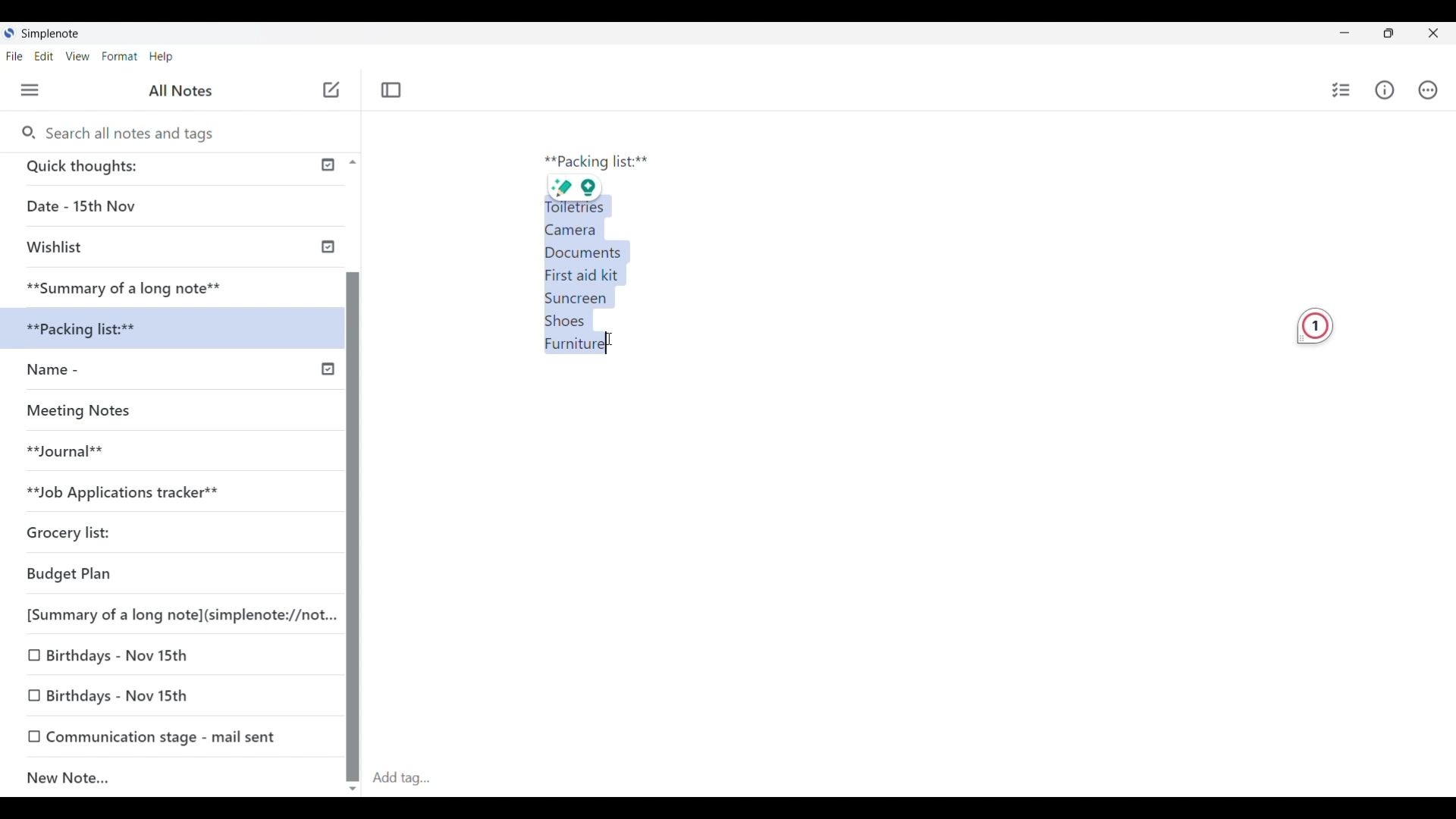 The image size is (1456, 819). What do you see at coordinates (78, 56) in the screenshot?
I see `View menu` at bounding box center [78, 56].